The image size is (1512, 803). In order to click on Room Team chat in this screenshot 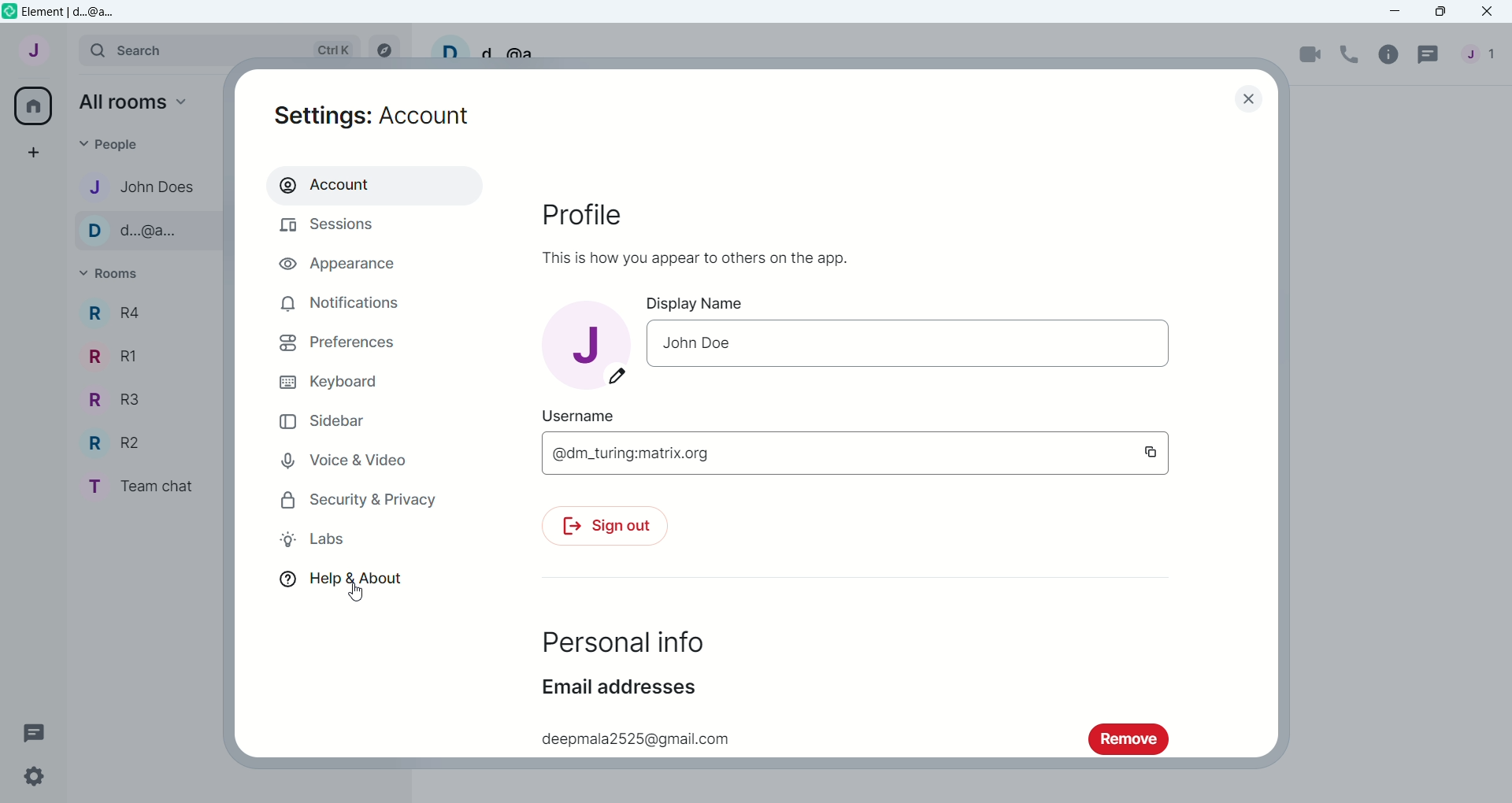, I will do `click(138, 486)`.